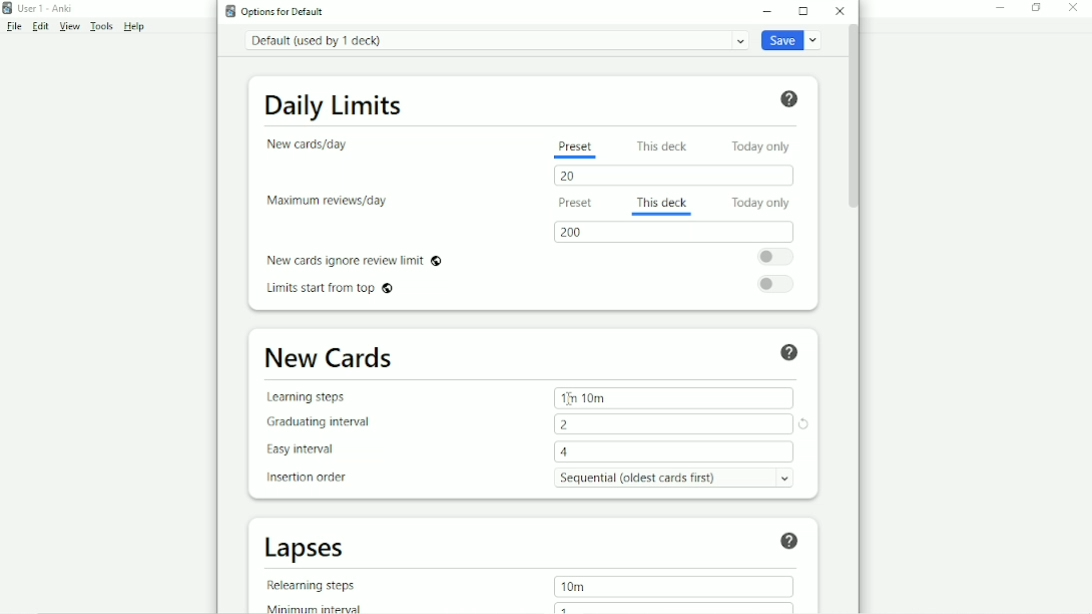 This screenshot has width=1092, height=614. Describe the element at coordinates (41, 27) in the screenshot. I see `Edit` at that location.